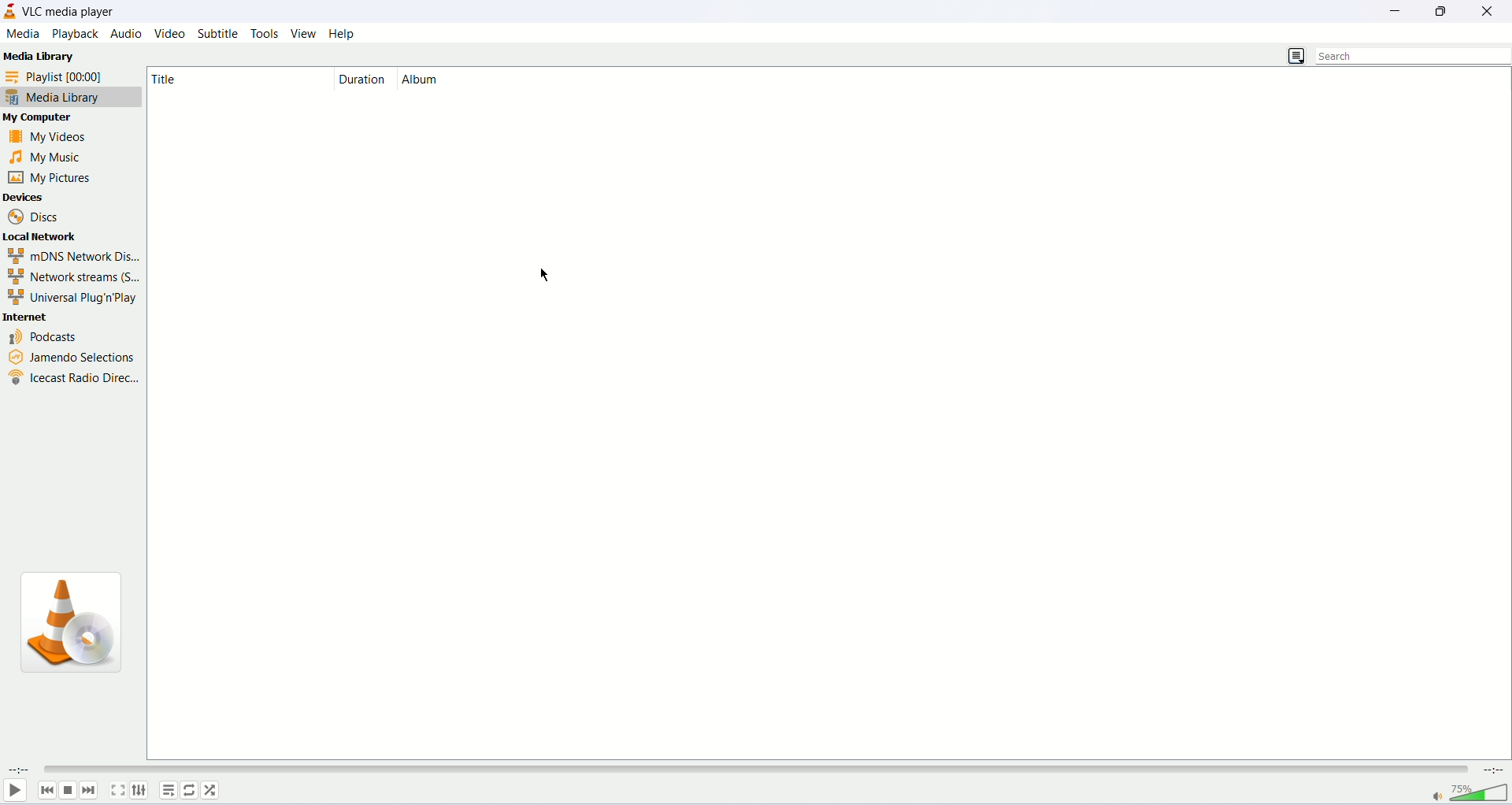 The image size is (1512, 805). Describe the element at coordinates (72, 357) in the screenshot. I see `jamendo selection` at that location.